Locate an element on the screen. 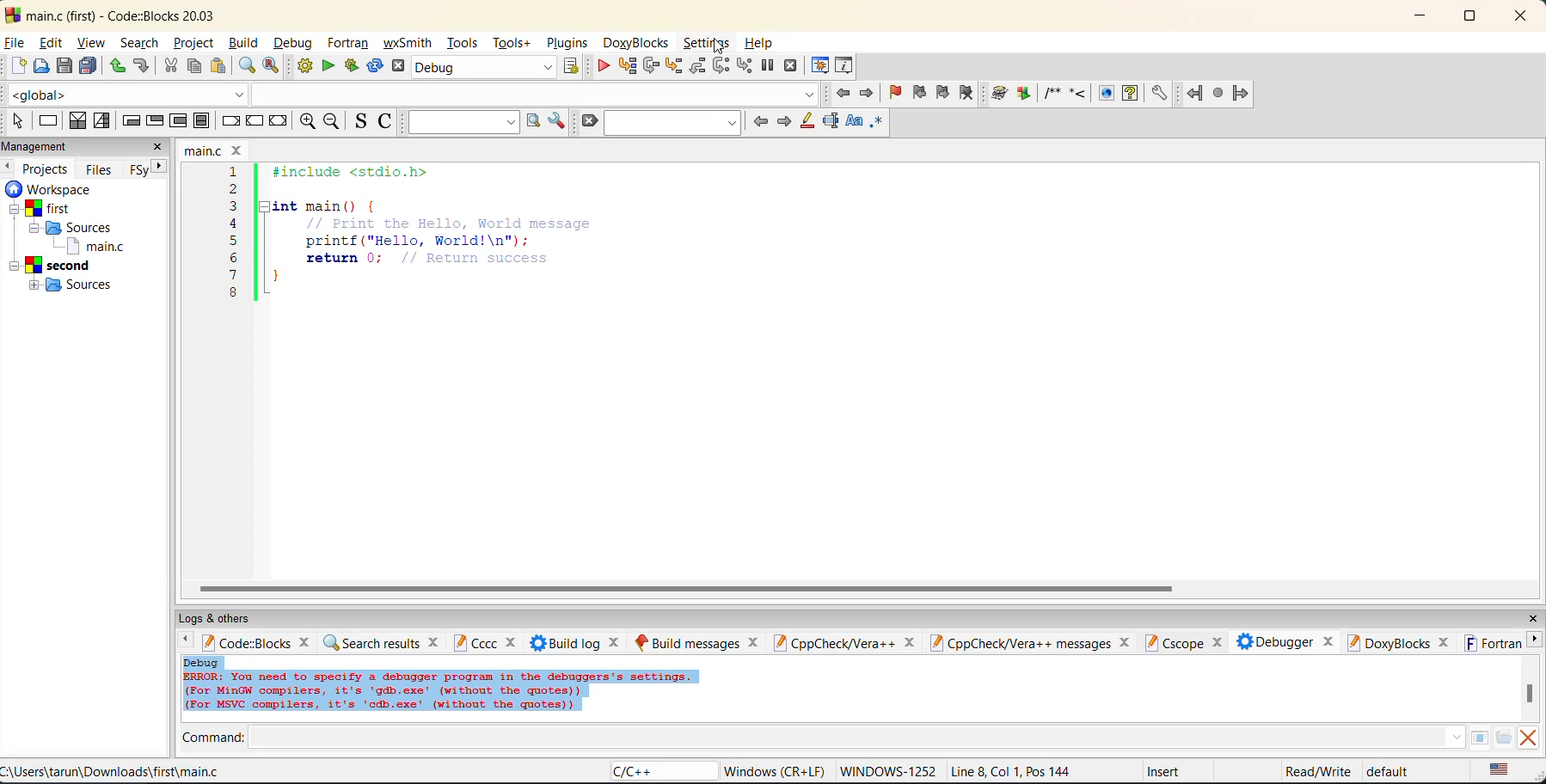 This screenshot has width=1546, height=784. select is located at coordinates (20, 121).